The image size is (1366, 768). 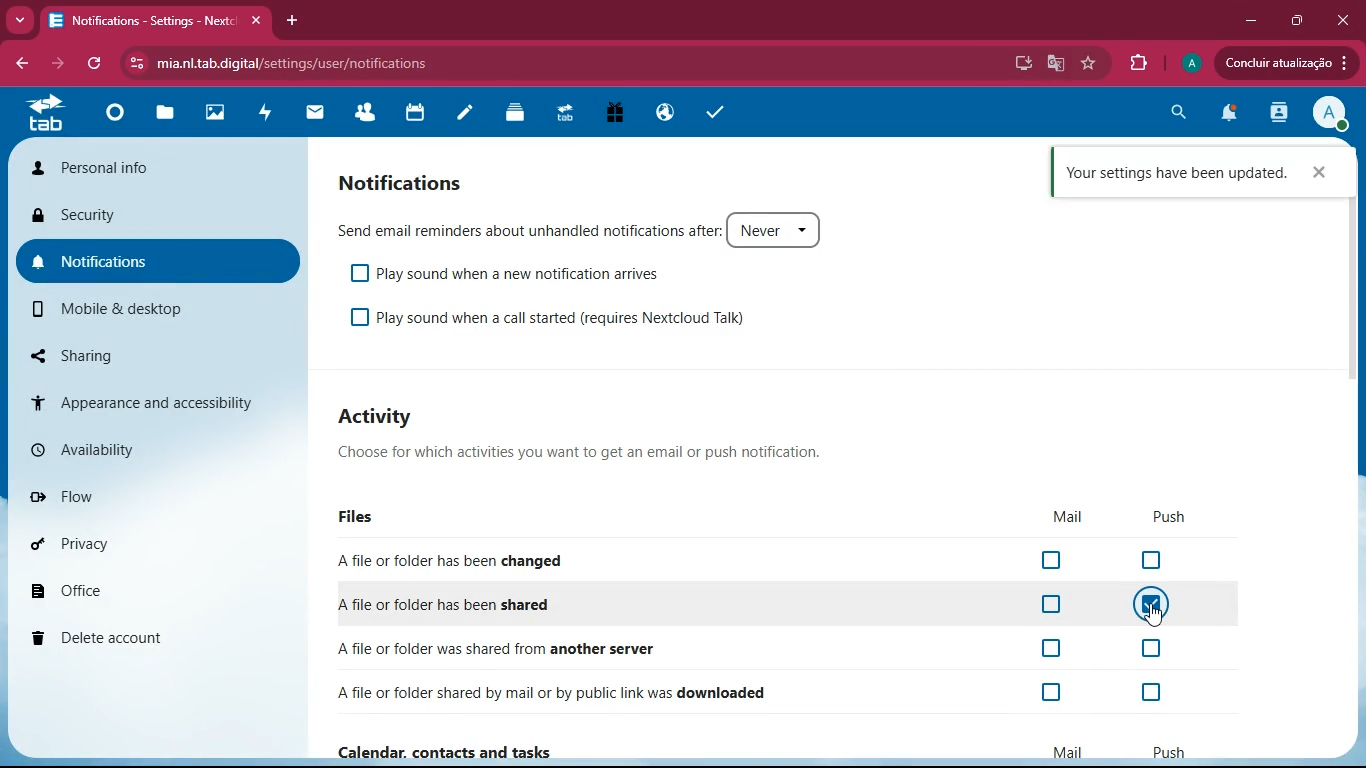 I want to click on desktop, so click(x=1021, y=64).